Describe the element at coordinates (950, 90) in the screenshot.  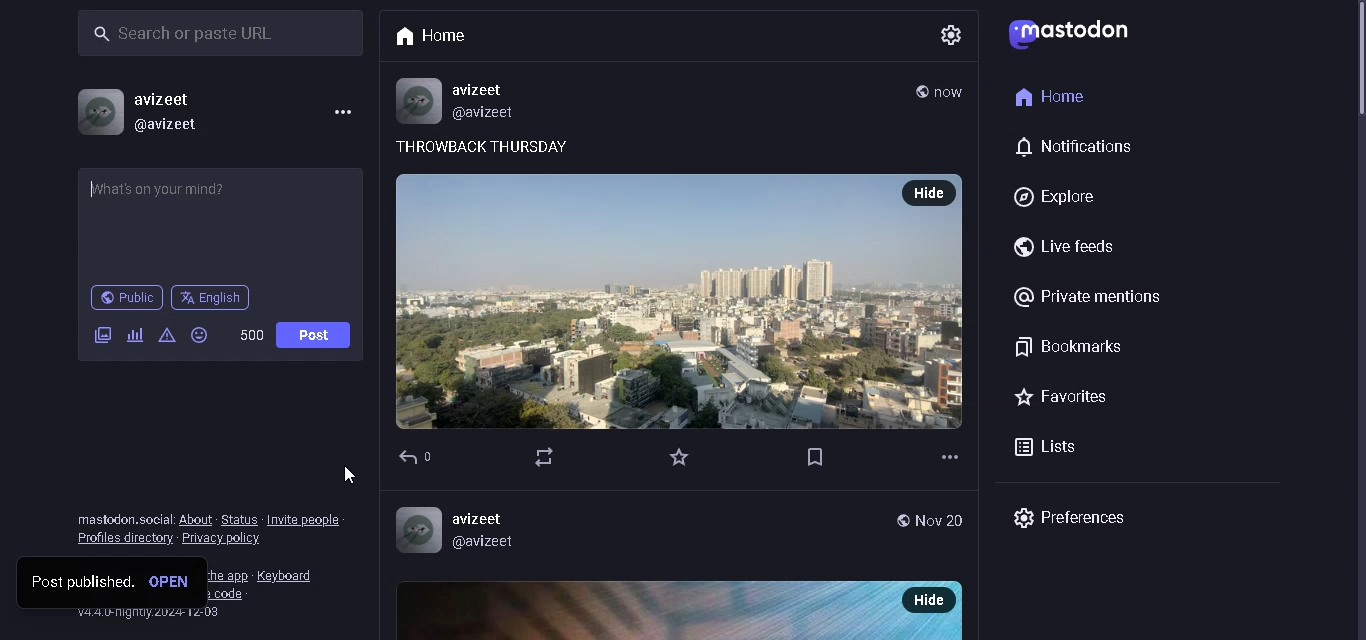
I see `time posted` at that location.